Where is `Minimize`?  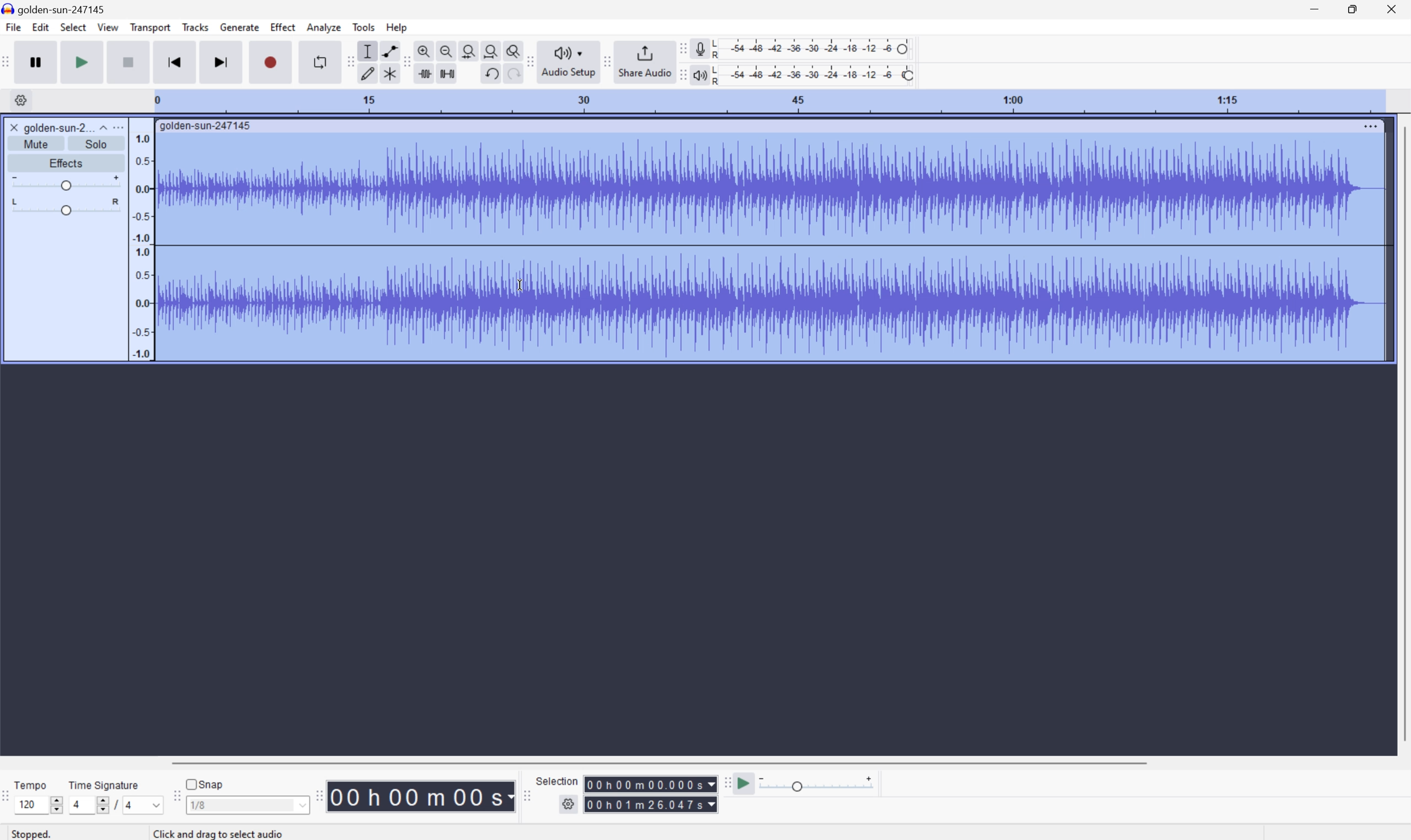
Minimize is located at coordinates (1314, 8).